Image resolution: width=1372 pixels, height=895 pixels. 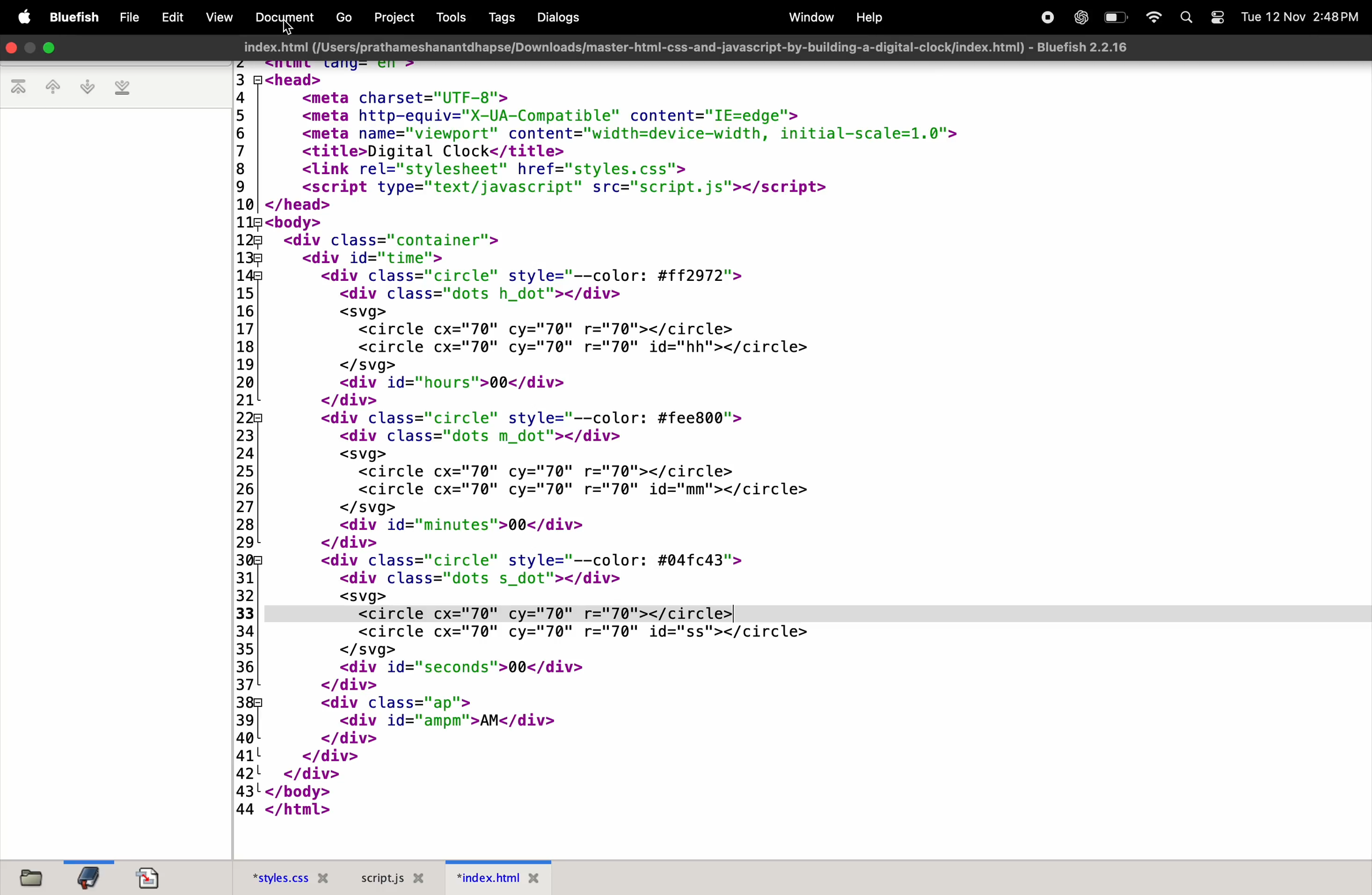 I want to click on wifi, so click(x=1150, y=17).